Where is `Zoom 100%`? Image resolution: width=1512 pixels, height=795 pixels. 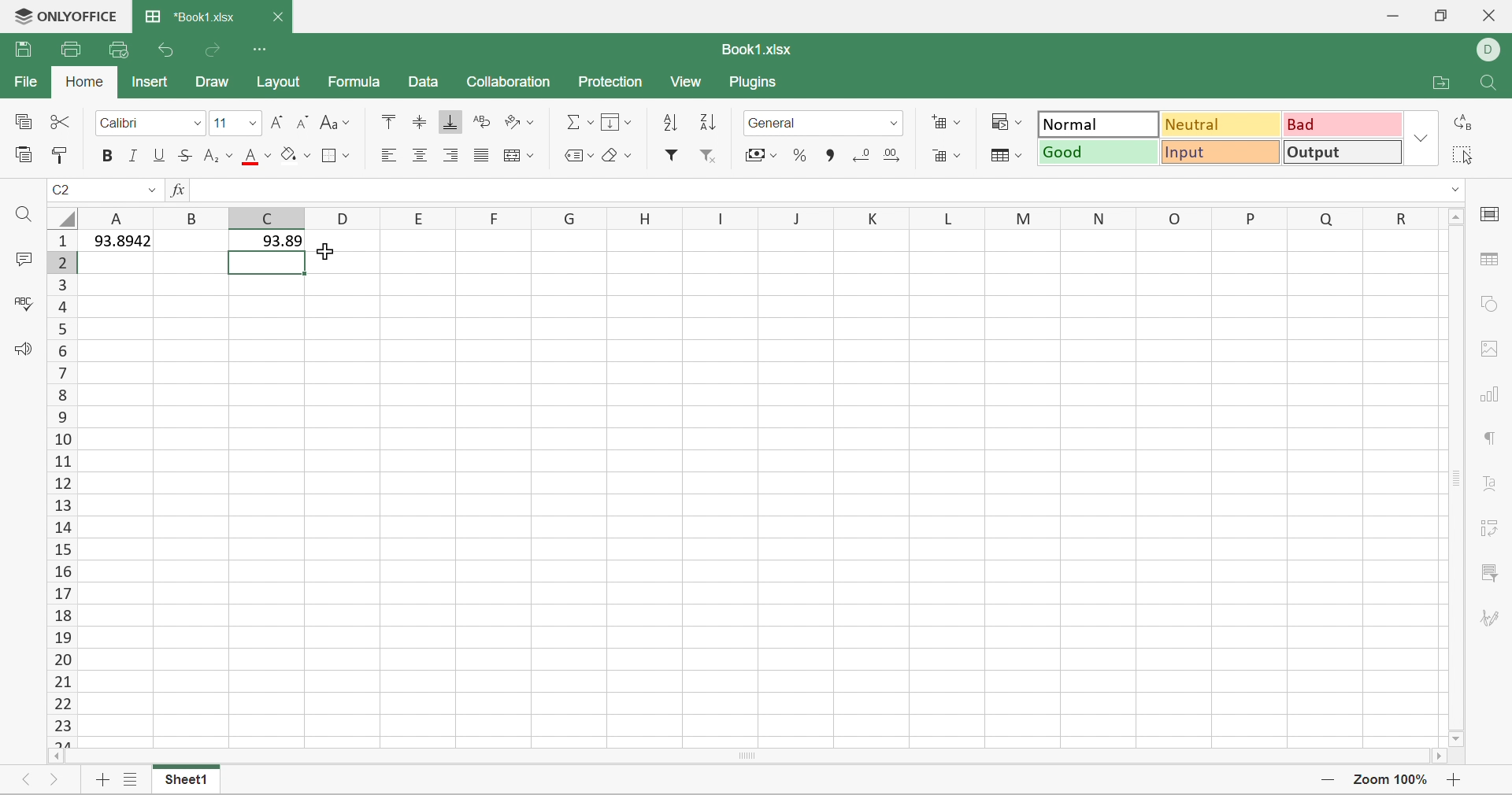 Zoom 100% is located at coordinates (1388, 782).